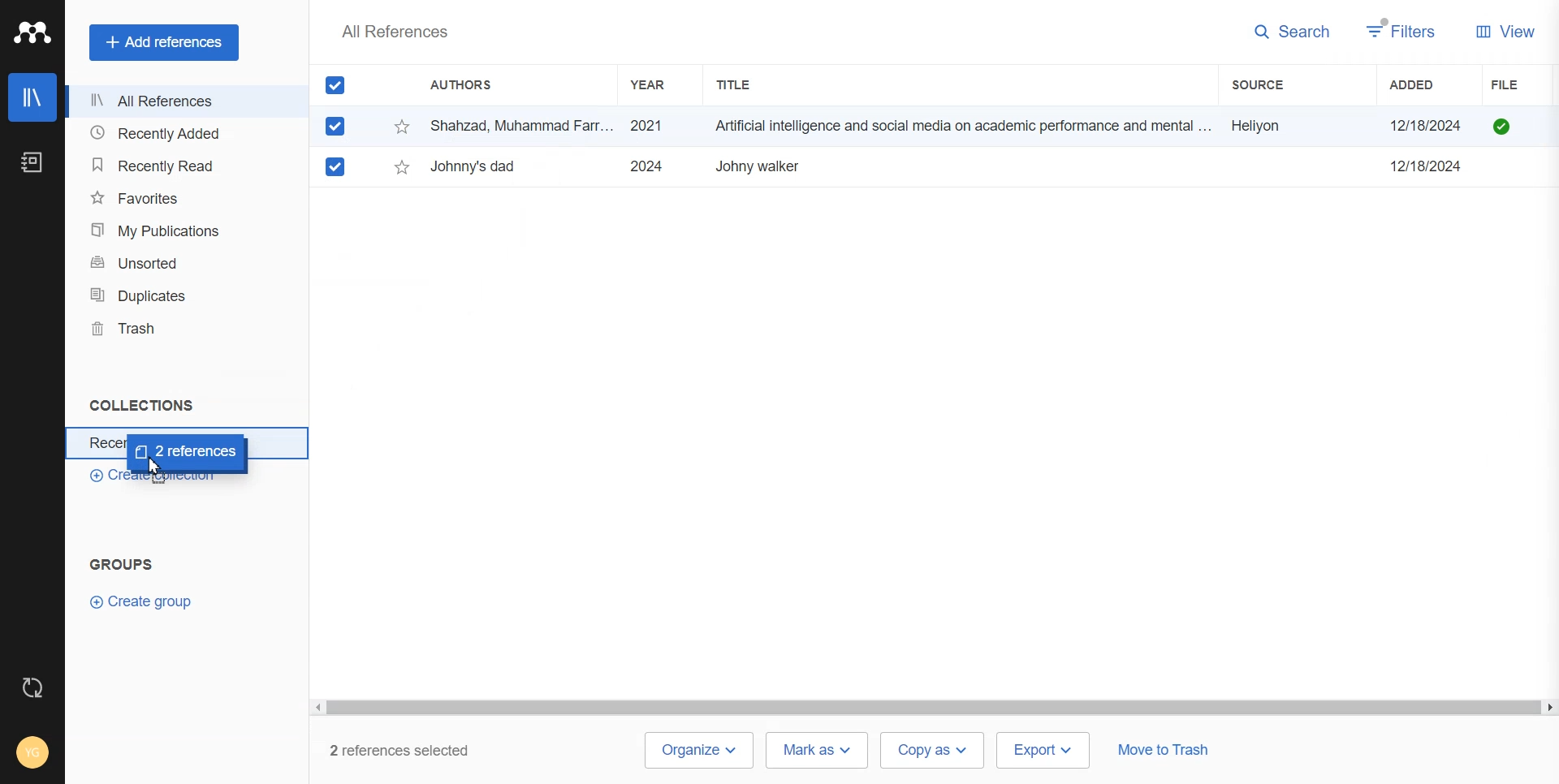  Describe the element at coordinates (952, 127) in the screenshot. I see `Shahzad, Muhammad Farr... 2021 Artificial intelligence and social media on academic performance and mental ...  Heliyon 12/18/2024` at that location.